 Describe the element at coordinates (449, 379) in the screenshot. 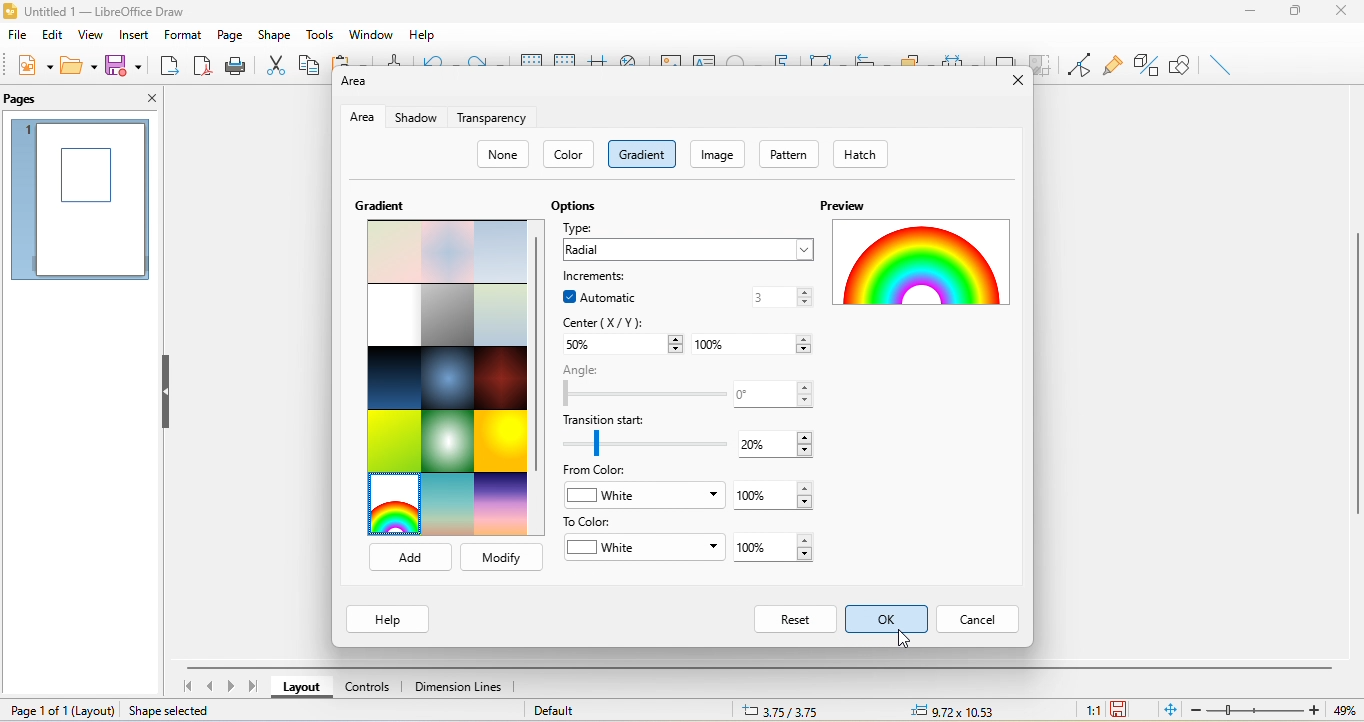

I see `deep ocean` at that location.